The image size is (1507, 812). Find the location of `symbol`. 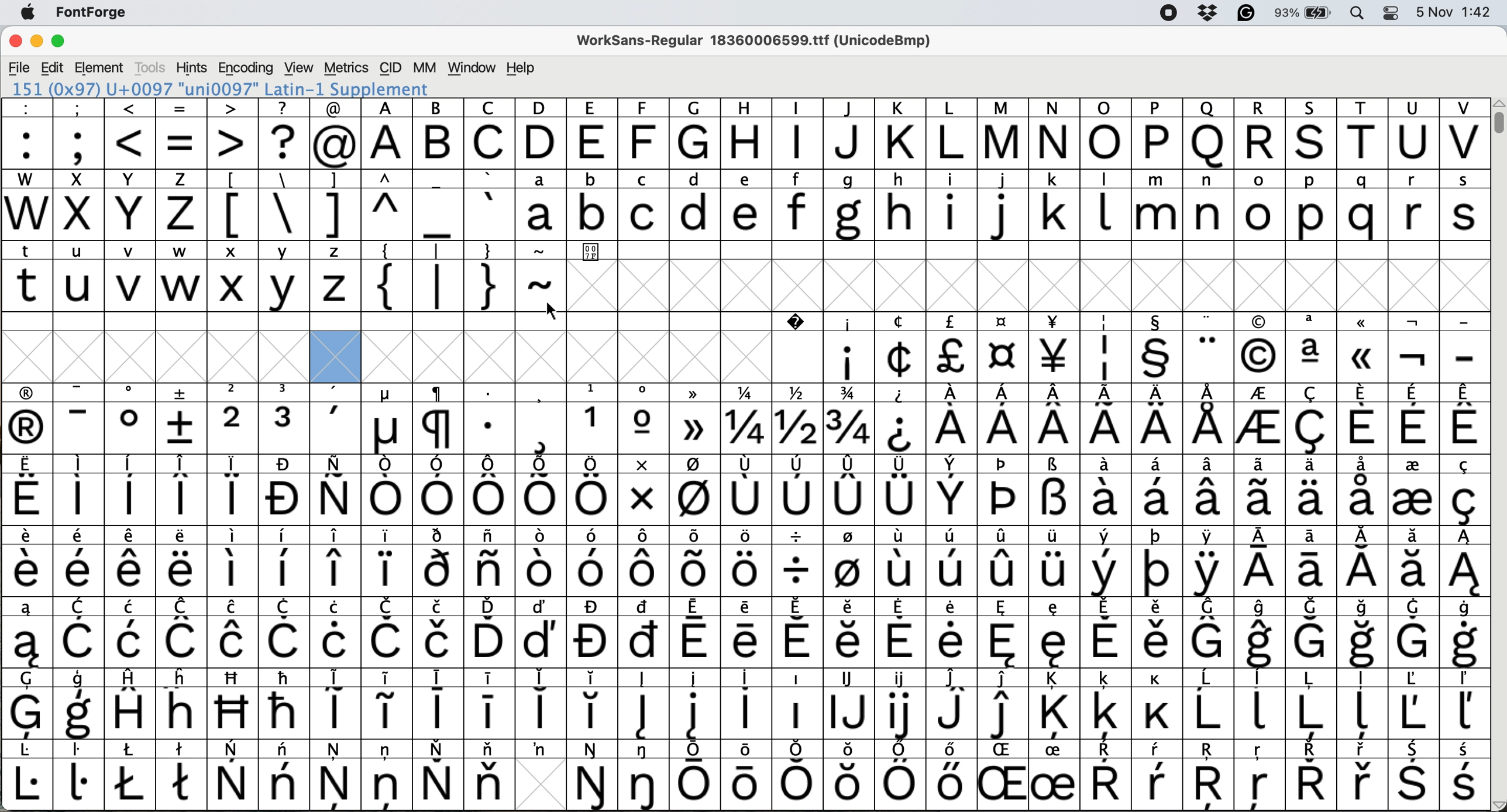

symbol is located at coordinates (955, 491).